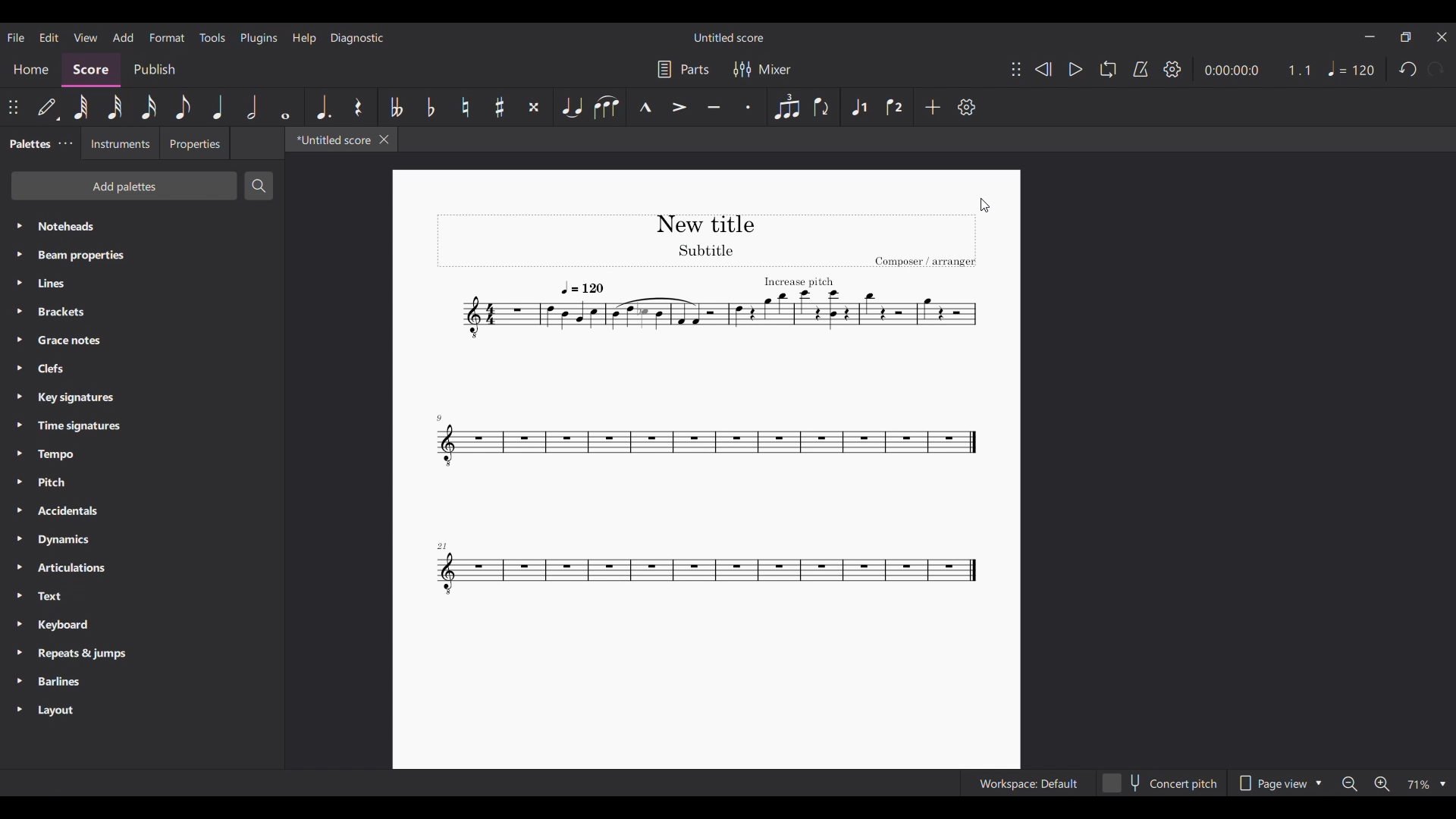 Image resolution: width=1456 pixels, height=819 pixels. I want to click on Voice 1, so click(860, 108).